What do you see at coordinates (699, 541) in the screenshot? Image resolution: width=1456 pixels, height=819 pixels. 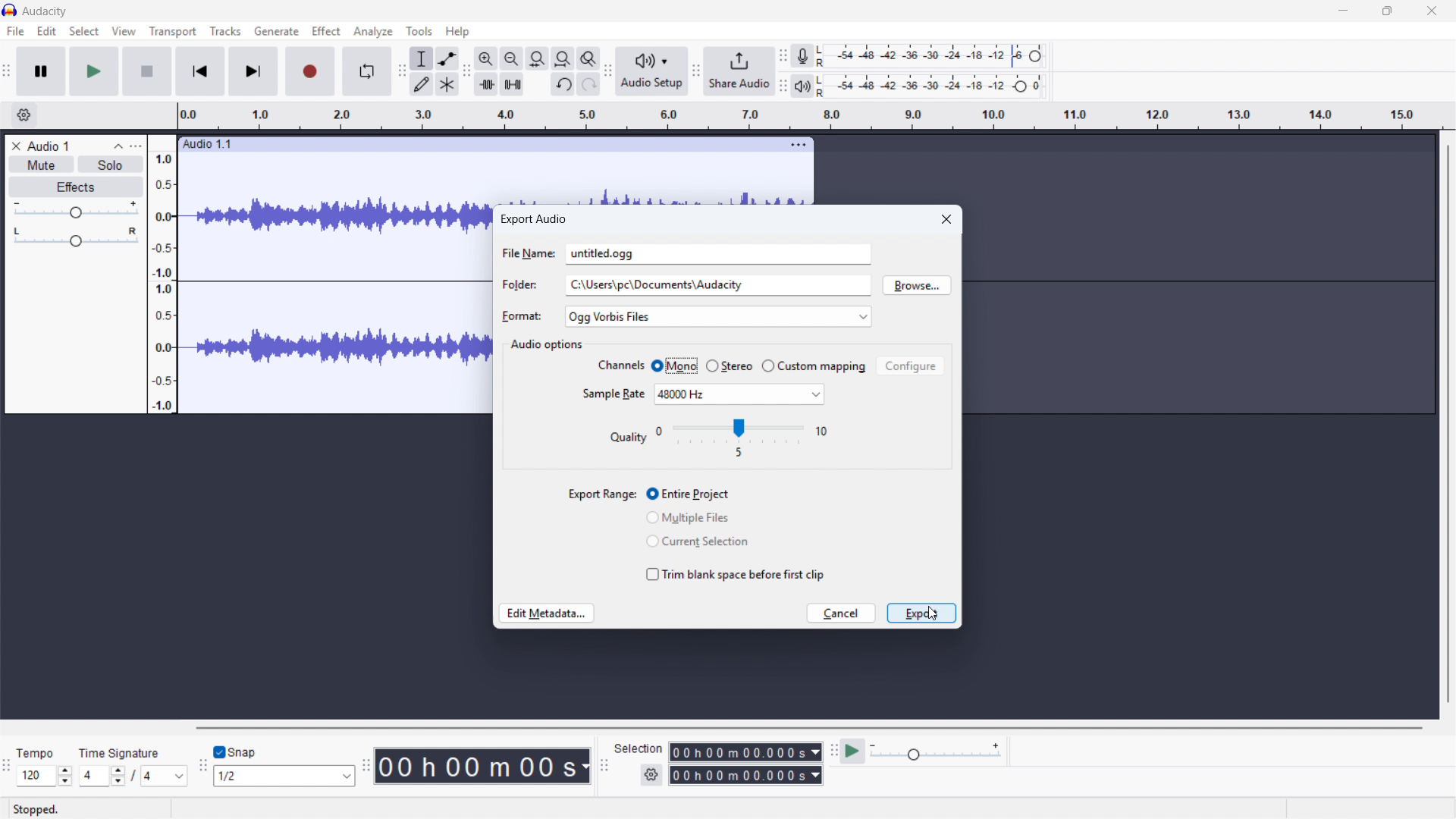 I see `Current selection ` at bounding box center [699, 541].